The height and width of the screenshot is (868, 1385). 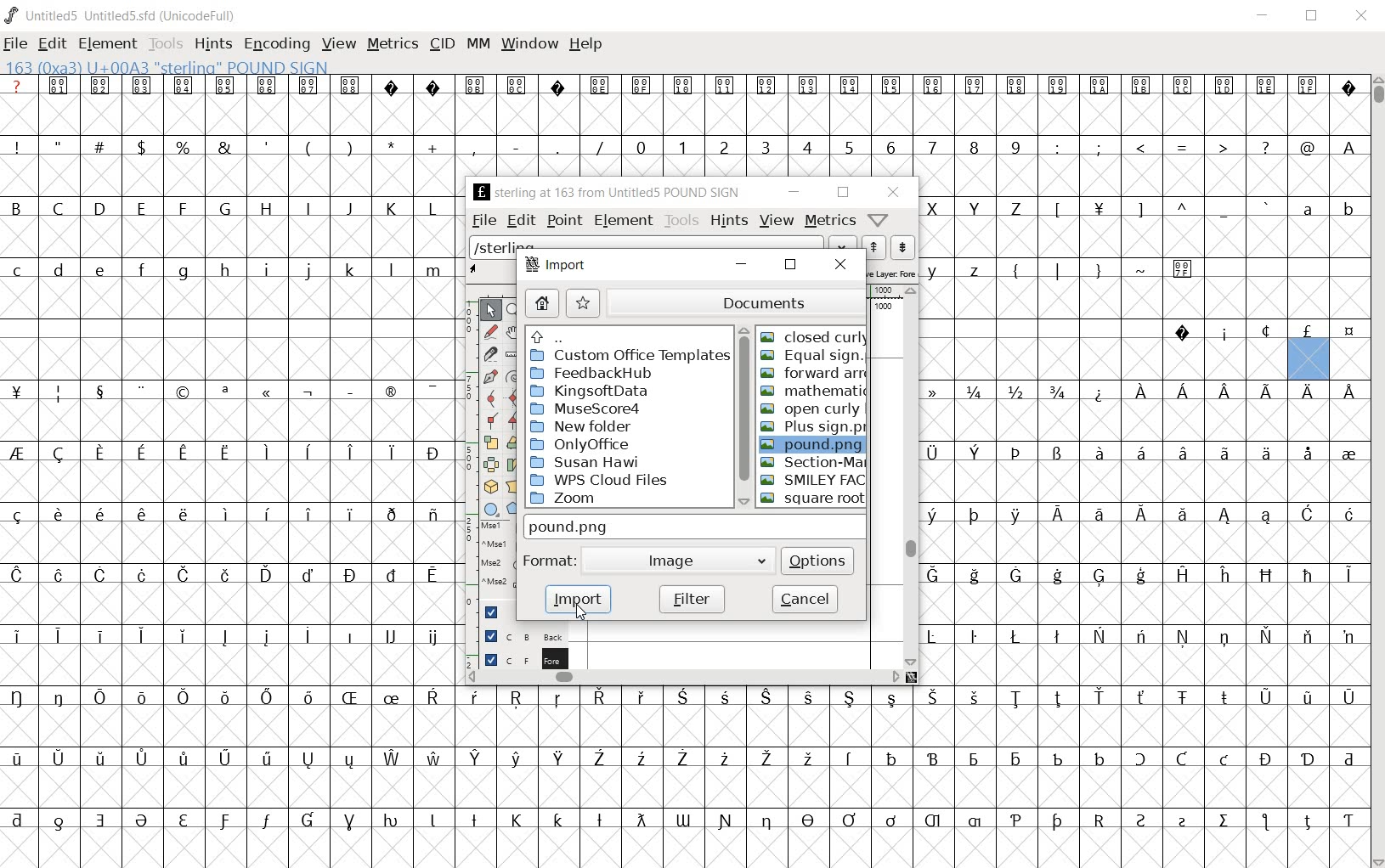 What do you see at coordinates (389, 700) in the screenshot?
I see `Symbol` at bounding box center [389, 700].